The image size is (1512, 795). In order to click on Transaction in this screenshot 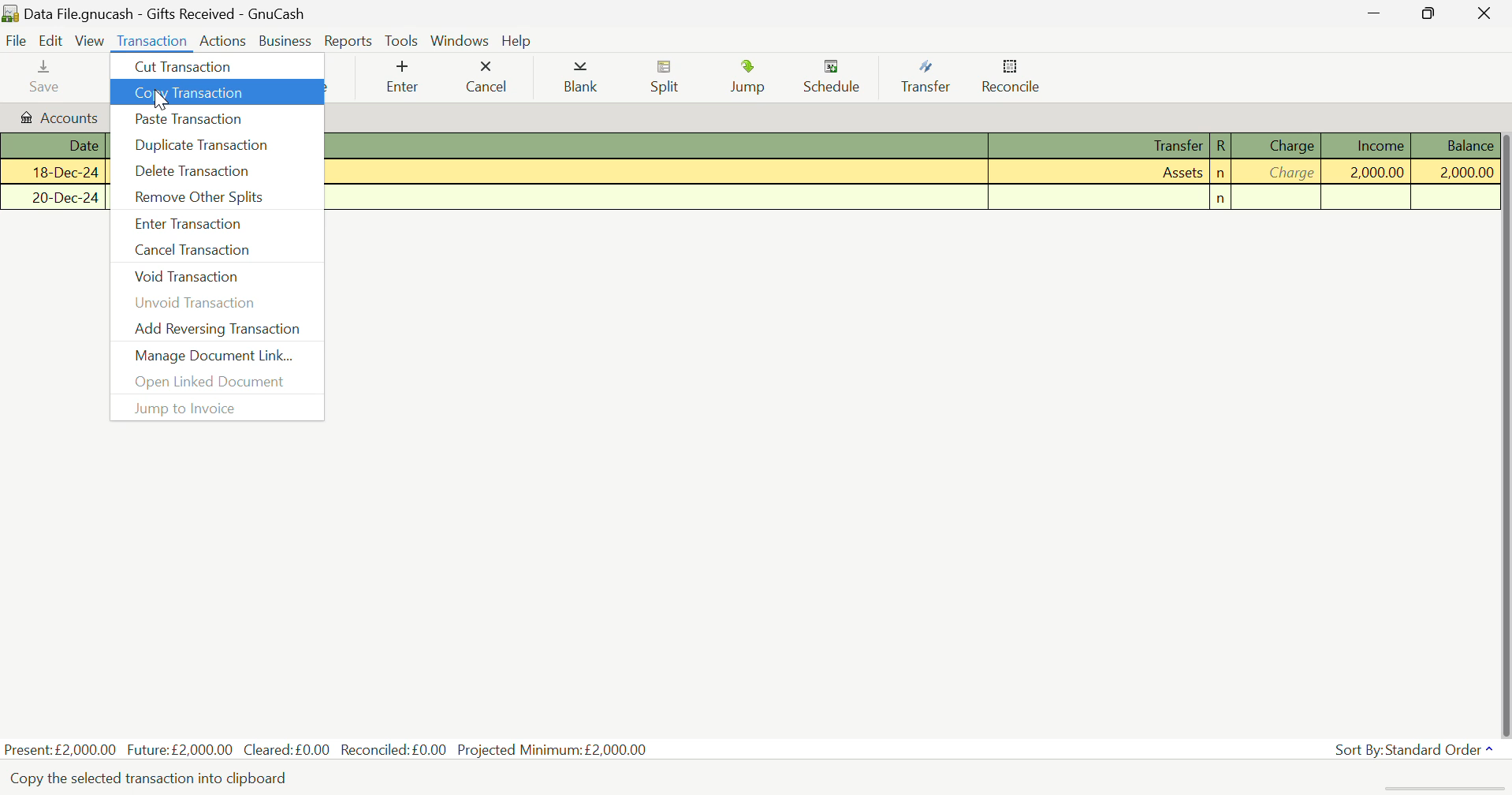, I will do `click(151, 39)`.